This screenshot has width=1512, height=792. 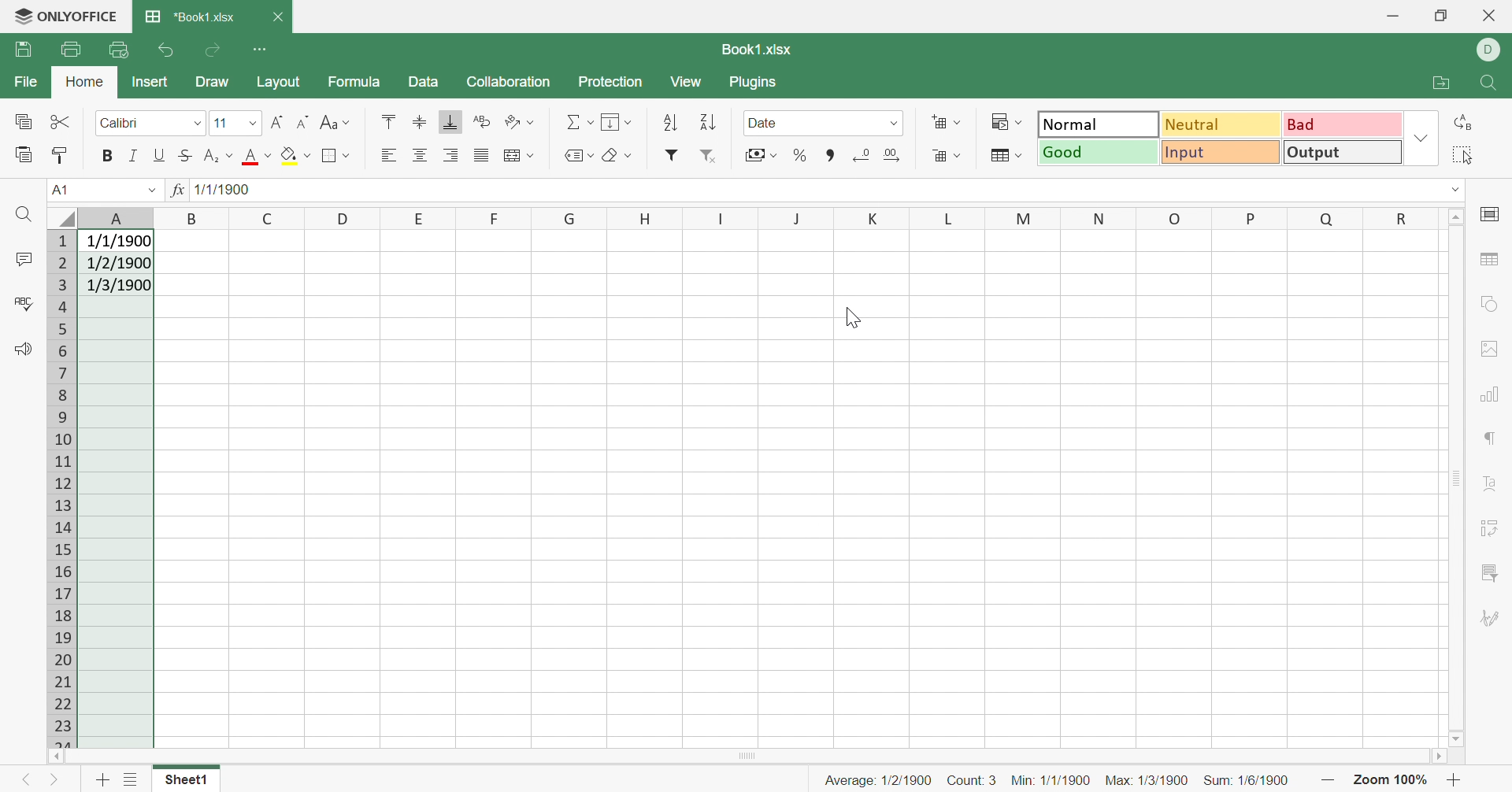 I want to click on Add cells, so click(x=945, y=121).